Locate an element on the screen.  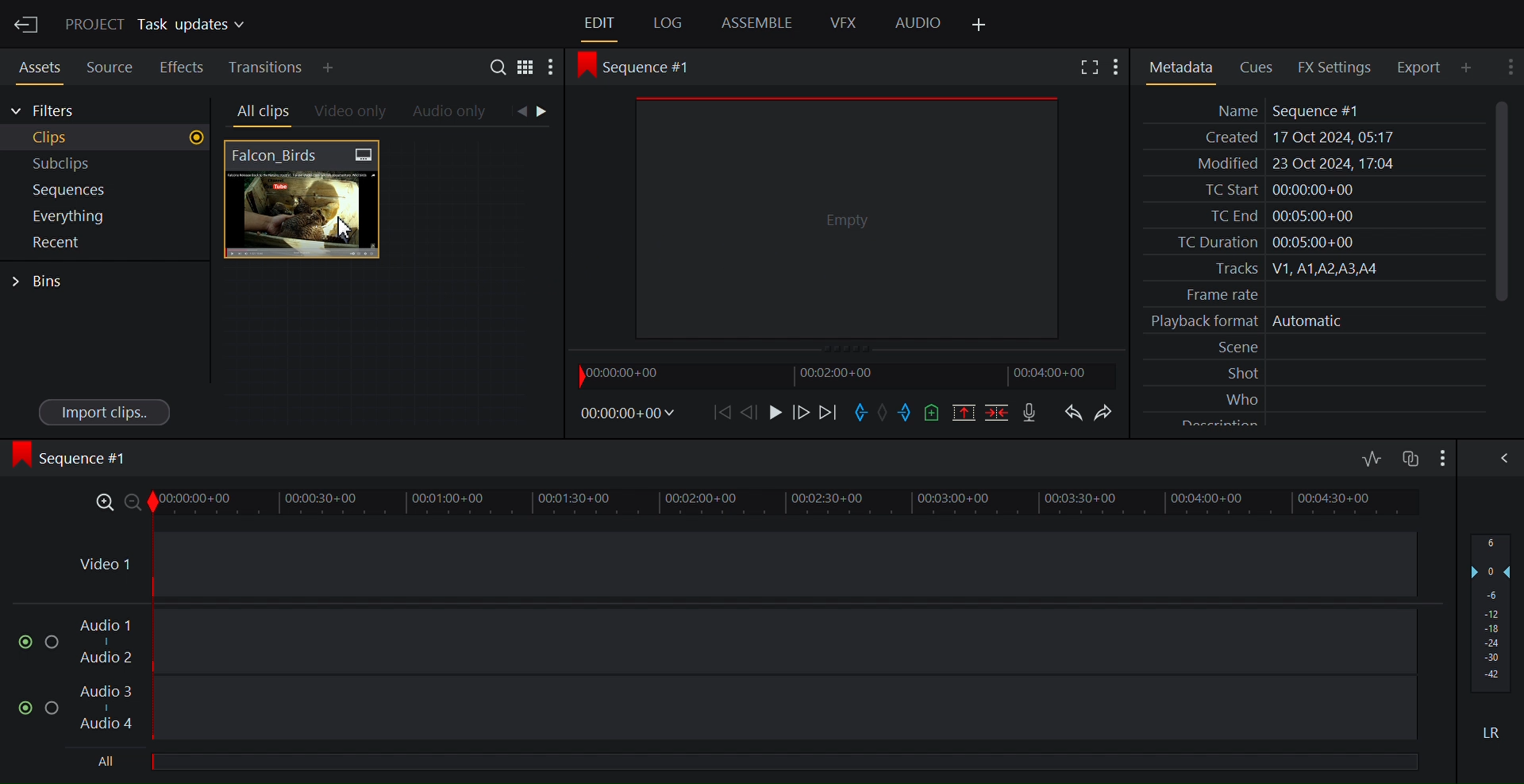
Undo  is located at coordinates (1073, 413).